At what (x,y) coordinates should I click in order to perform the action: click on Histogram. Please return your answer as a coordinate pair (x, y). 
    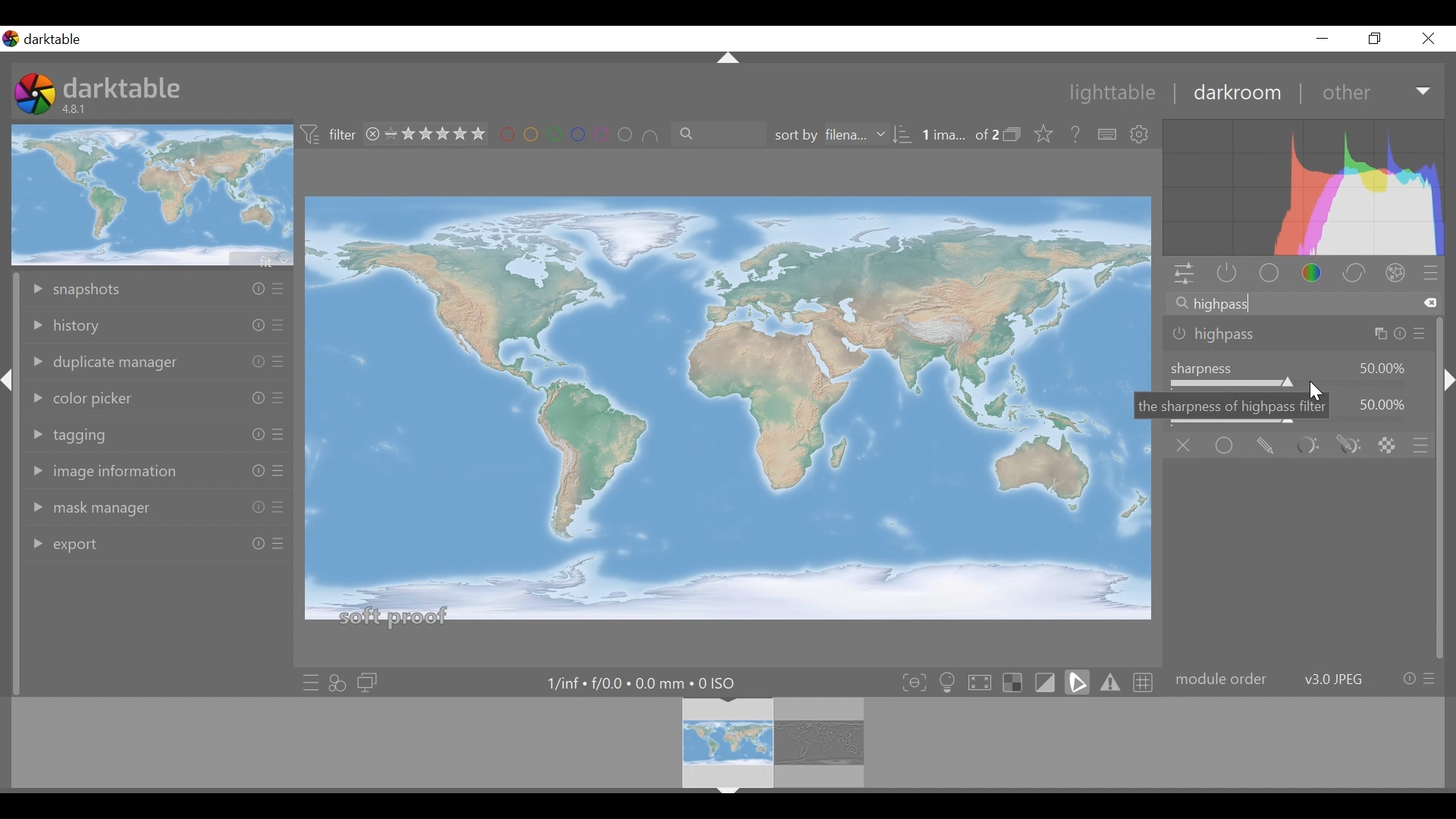
    Looking at the image, I should click on (1309, 187).